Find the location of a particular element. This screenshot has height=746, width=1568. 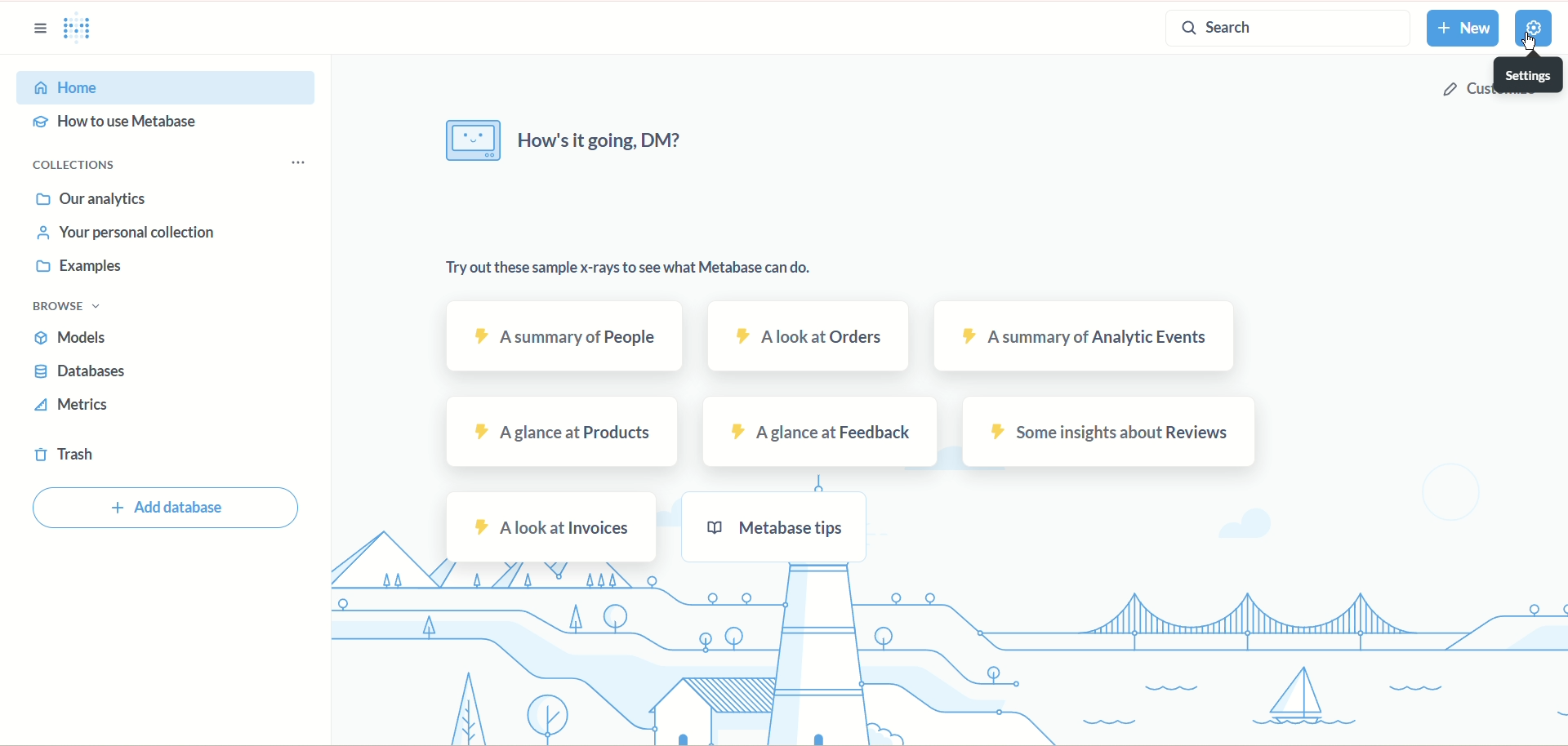

a glance at products is located at coordinates (550, 431).